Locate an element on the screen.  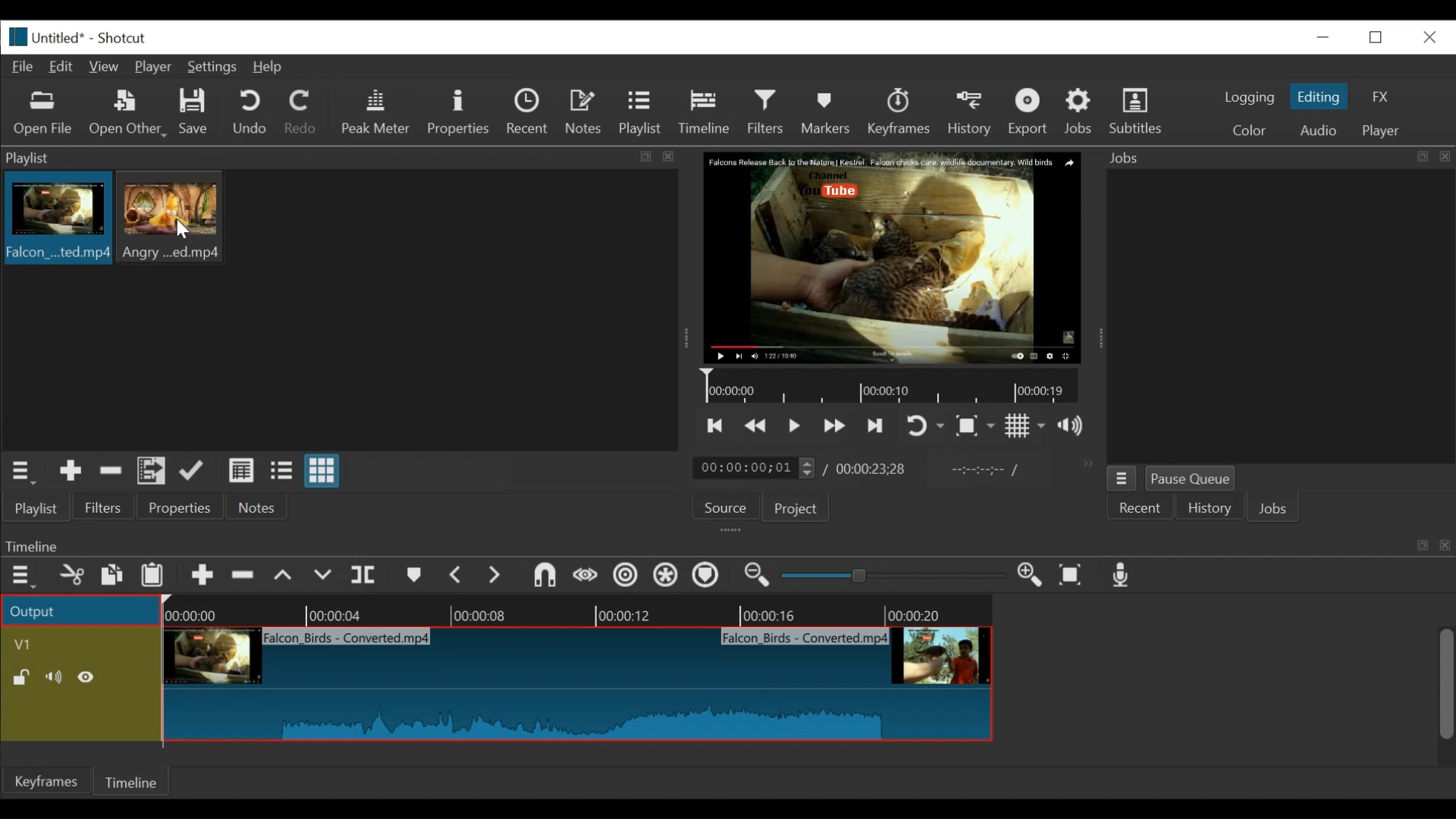
Mute is located at coordinates (57, 677).